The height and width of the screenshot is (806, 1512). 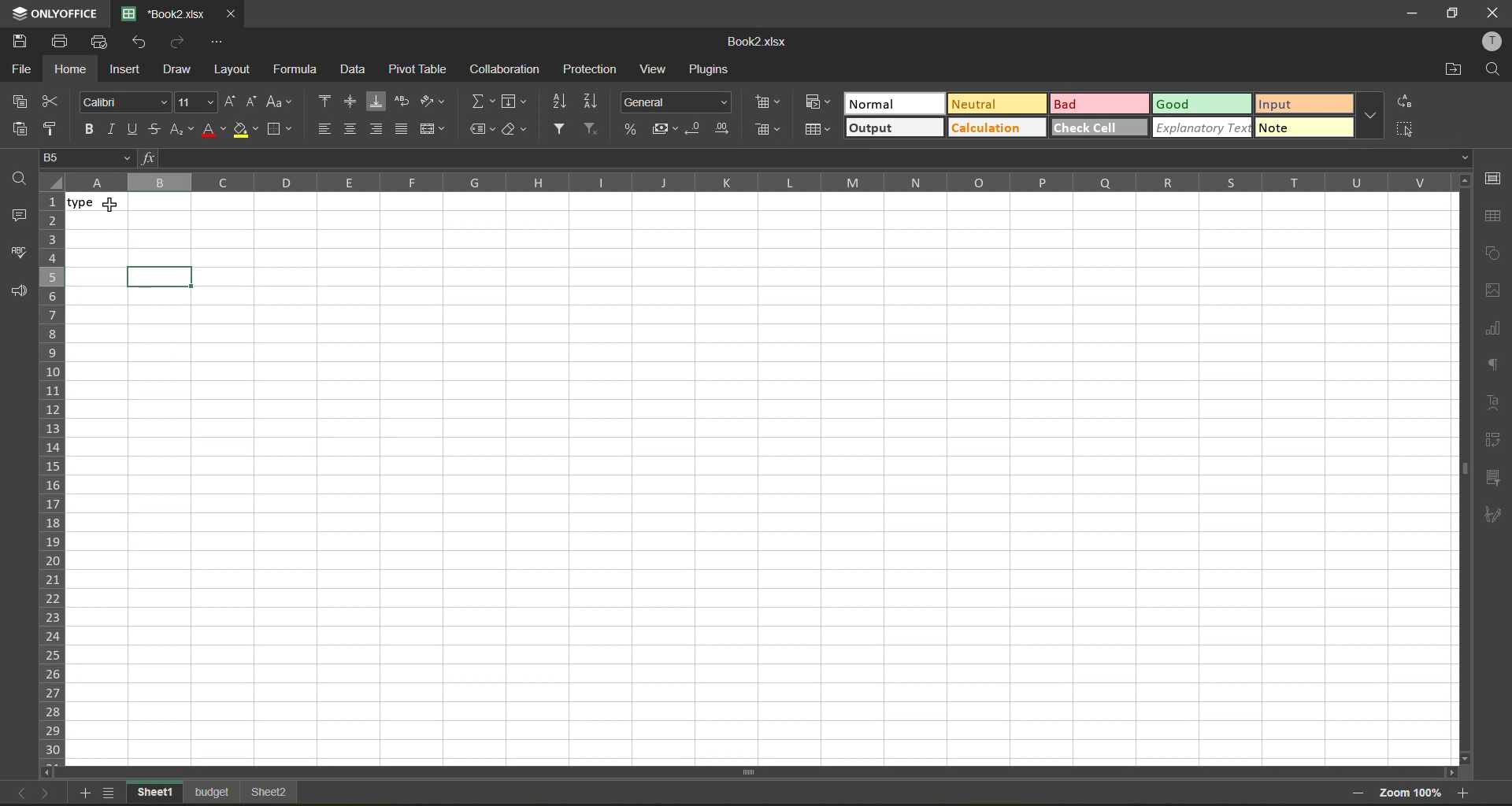 What do you see at coordinates (1449, 772) in the screenshot?
I see `move right` at bounding box center [1449, 772].